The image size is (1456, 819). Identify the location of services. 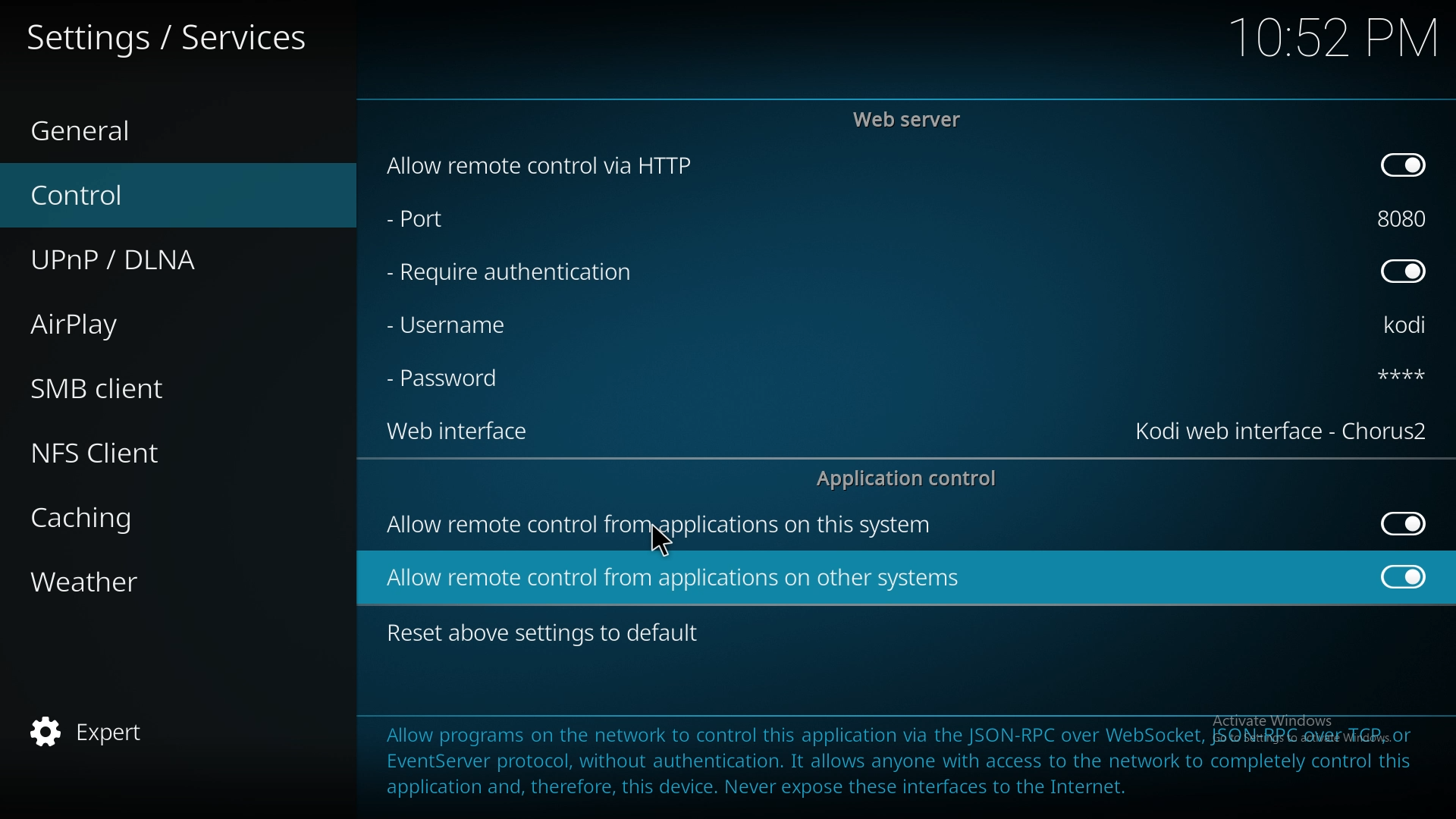
(168, 34).